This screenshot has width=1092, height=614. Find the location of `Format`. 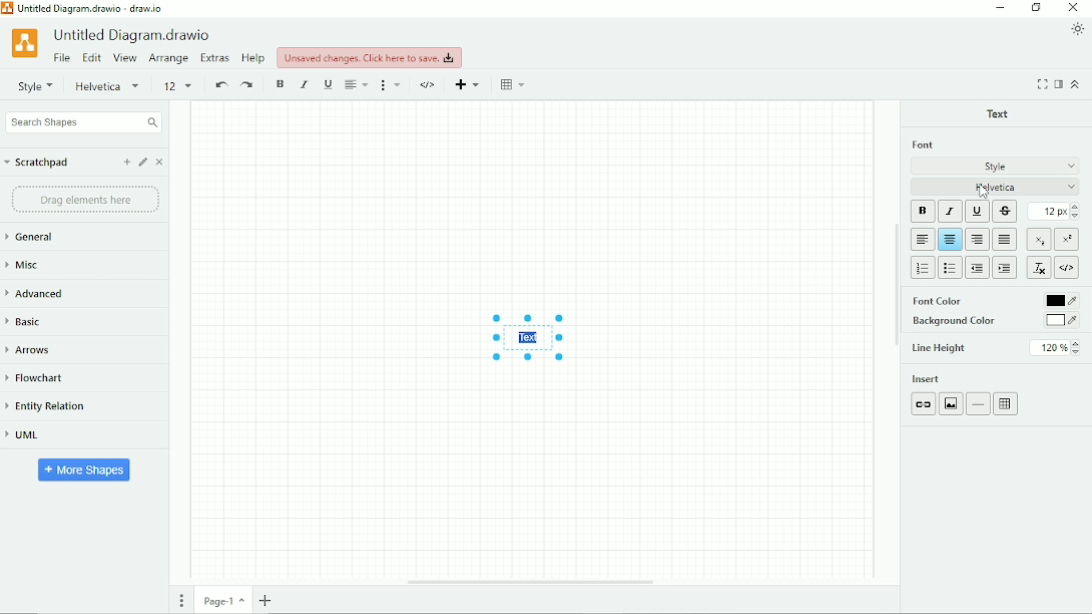

Format is located at coordinates (1058, 84).